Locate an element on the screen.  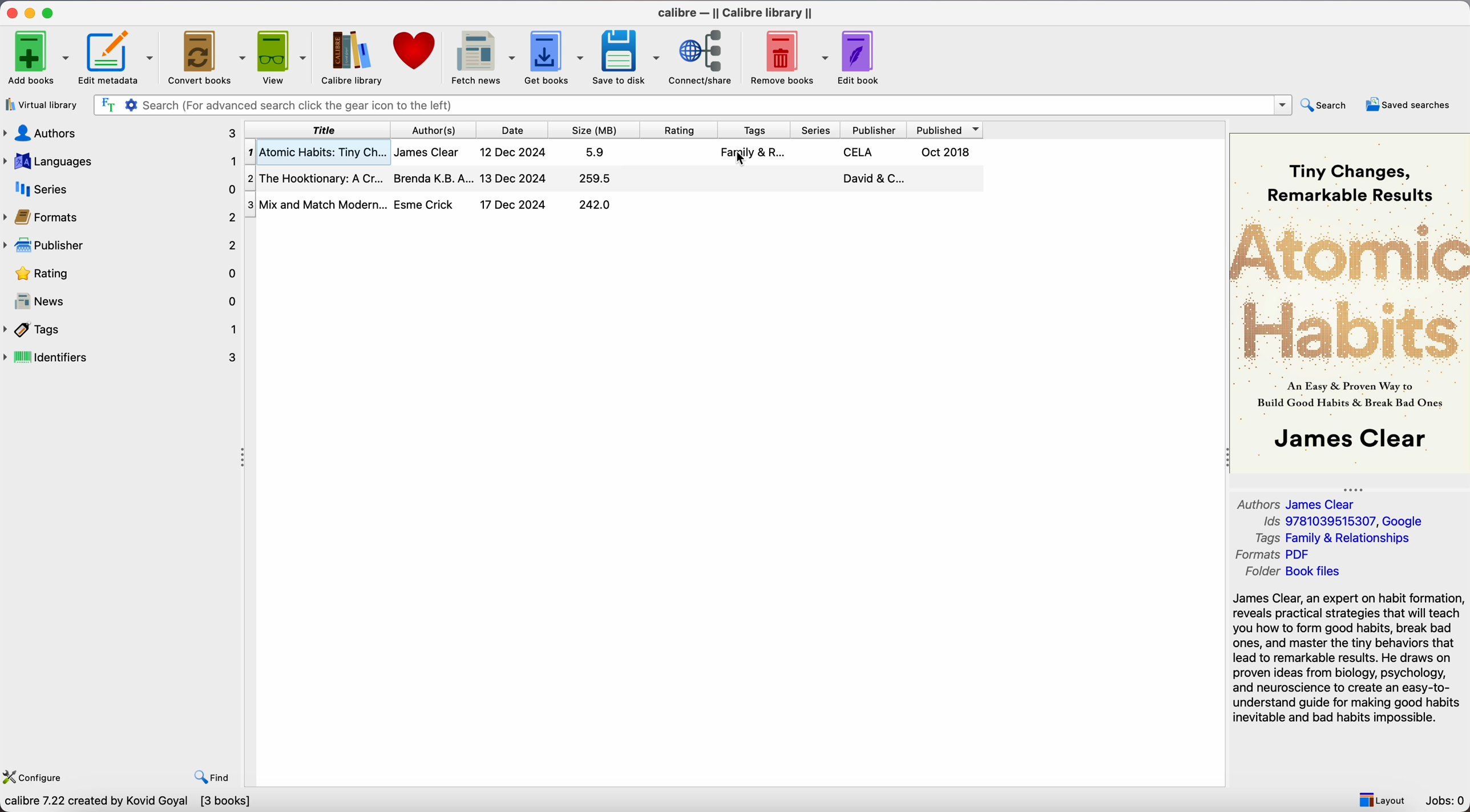
17 Dec 2024 is located at coordinates (515, 205).